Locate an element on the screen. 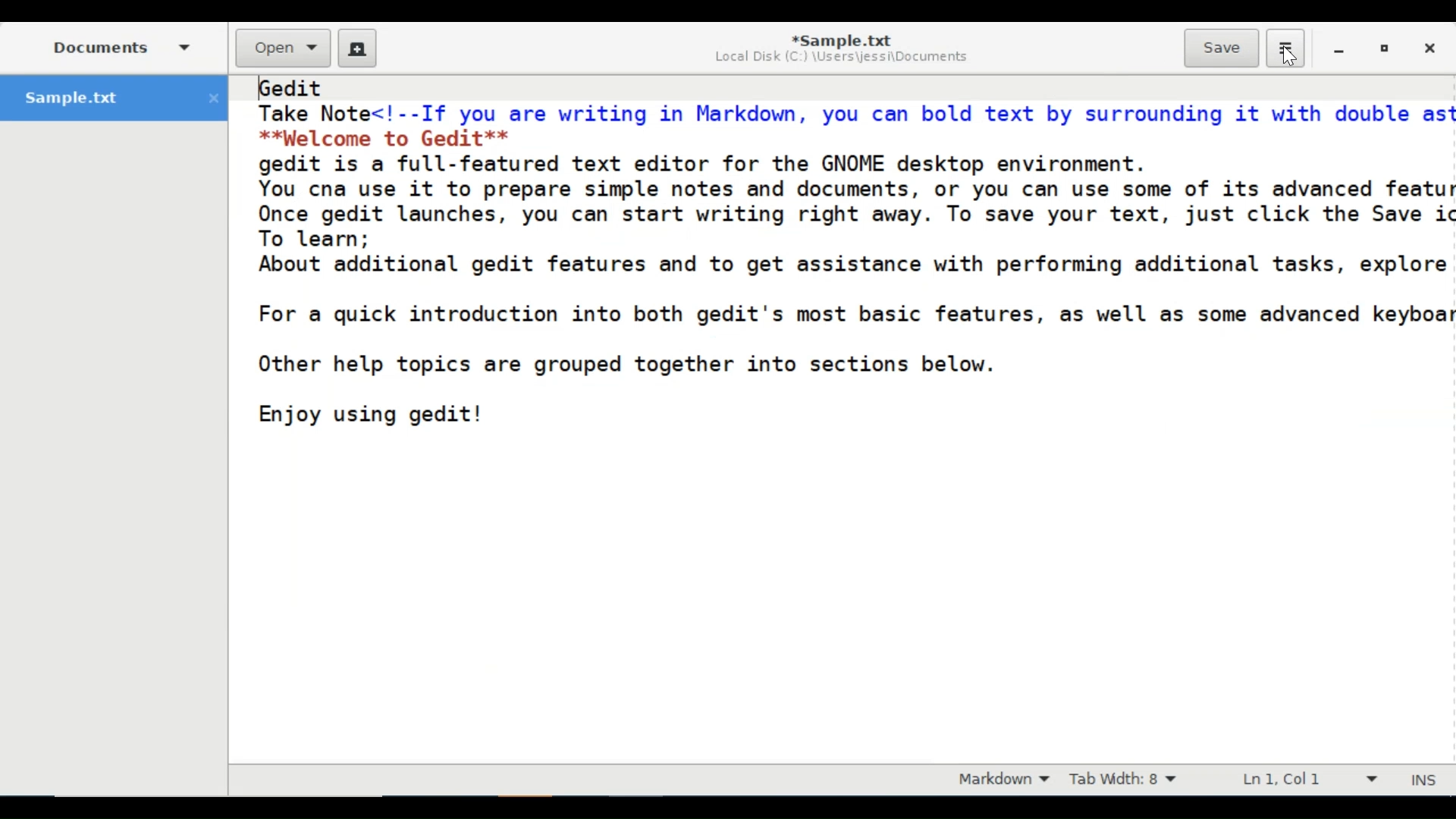  Cursor is located at coordinates (1286, 57).